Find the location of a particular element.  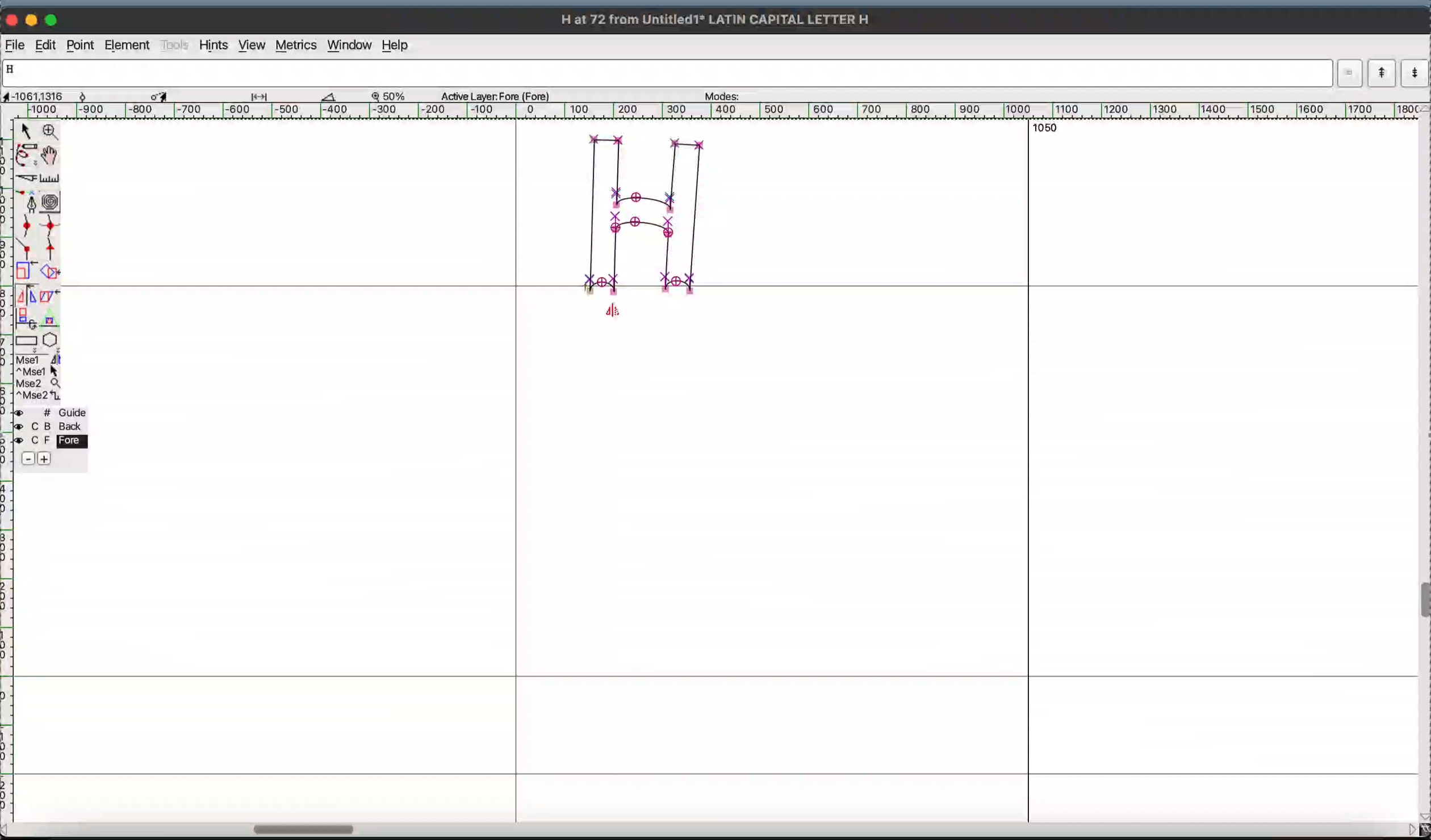

ruler is located at coordinates (49, 178).